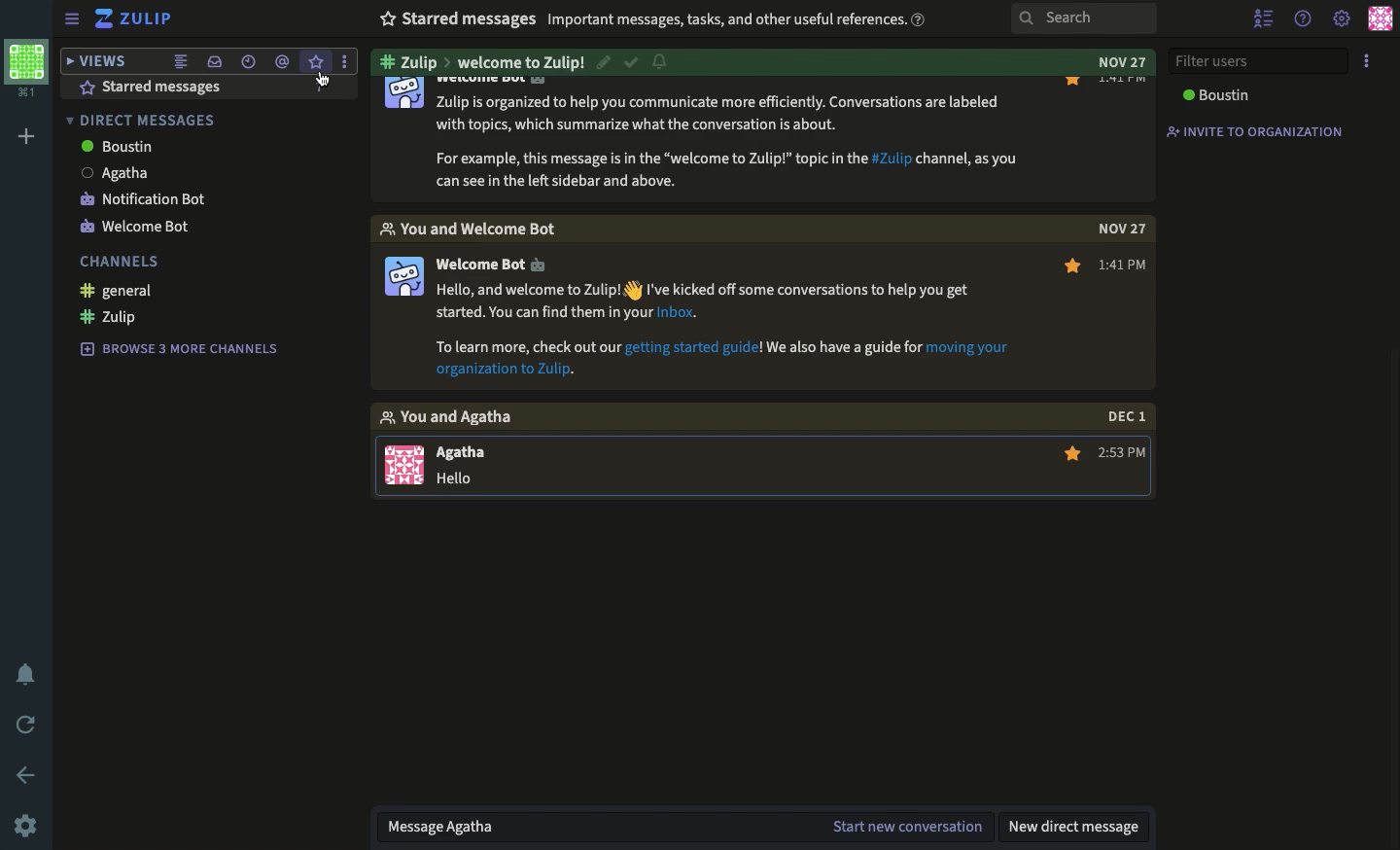  I want to click on Boustin, so click(1217, 98).